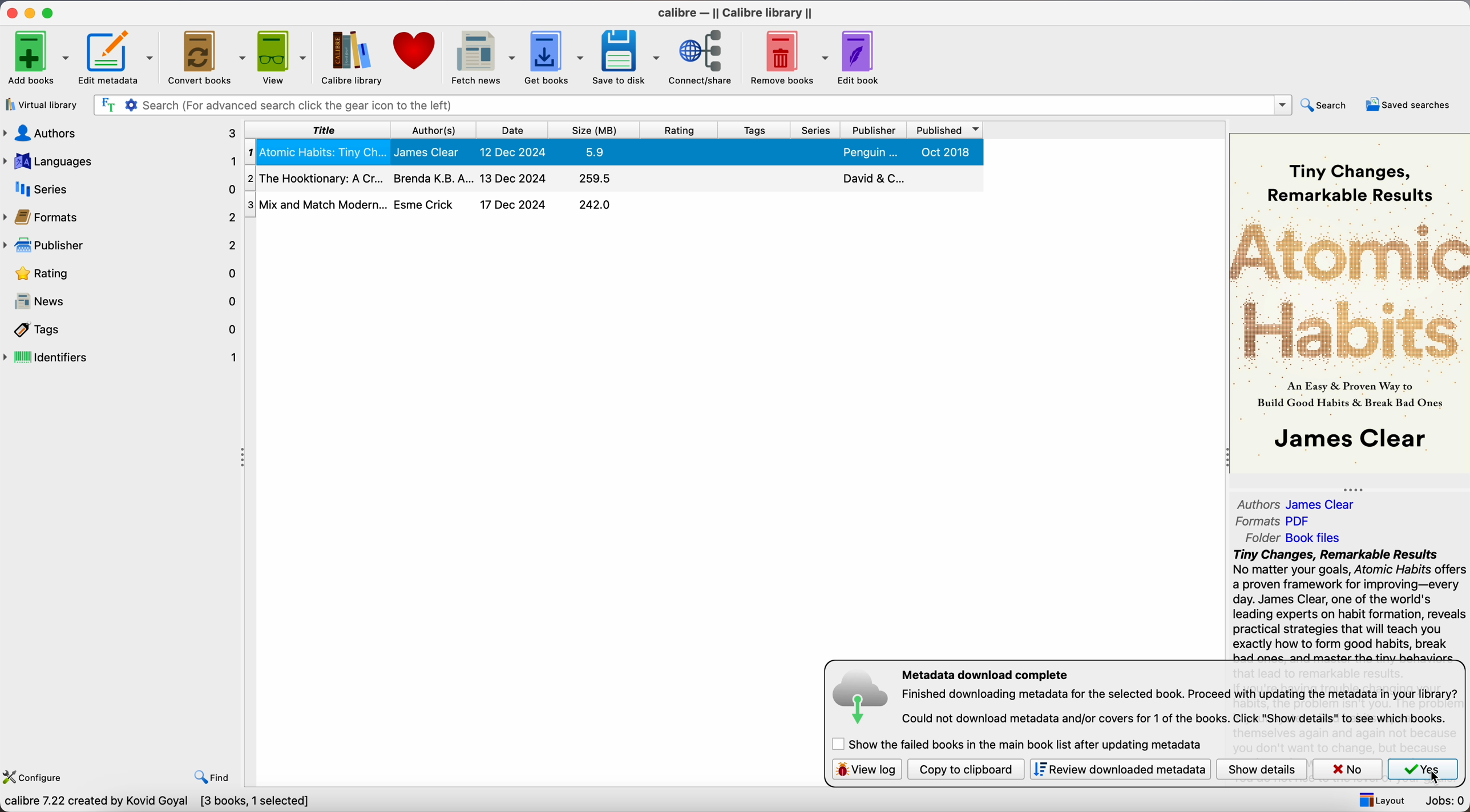  Describe the element at coordinates (205, 56) in the screenshot. I see `Convert books` at that location.